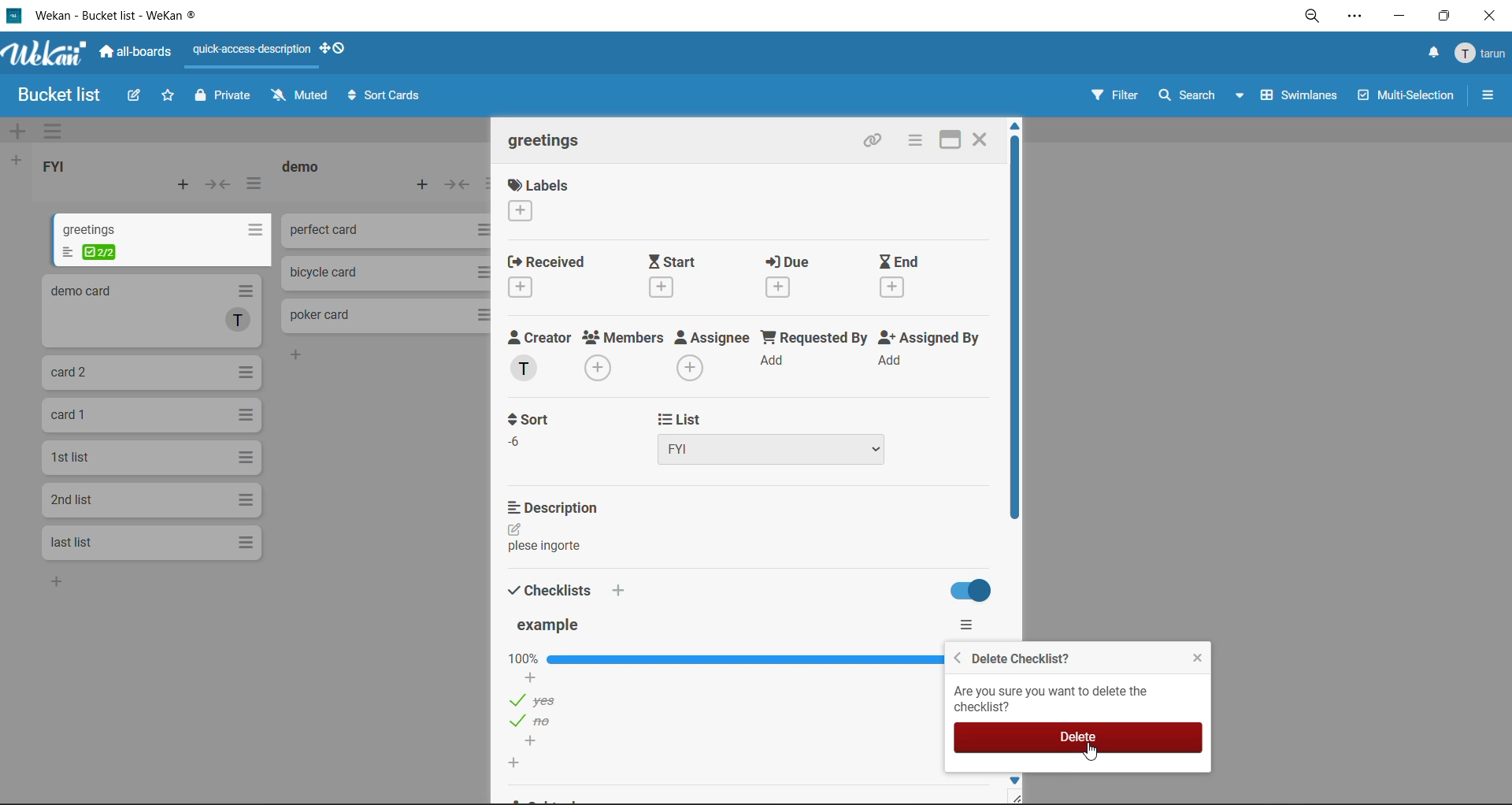 This screenshot has height=805, width=1512. What do you see at coordinates (920, 354) in the screenshot?
I see `assigned by` at bounding box center [920, 354].